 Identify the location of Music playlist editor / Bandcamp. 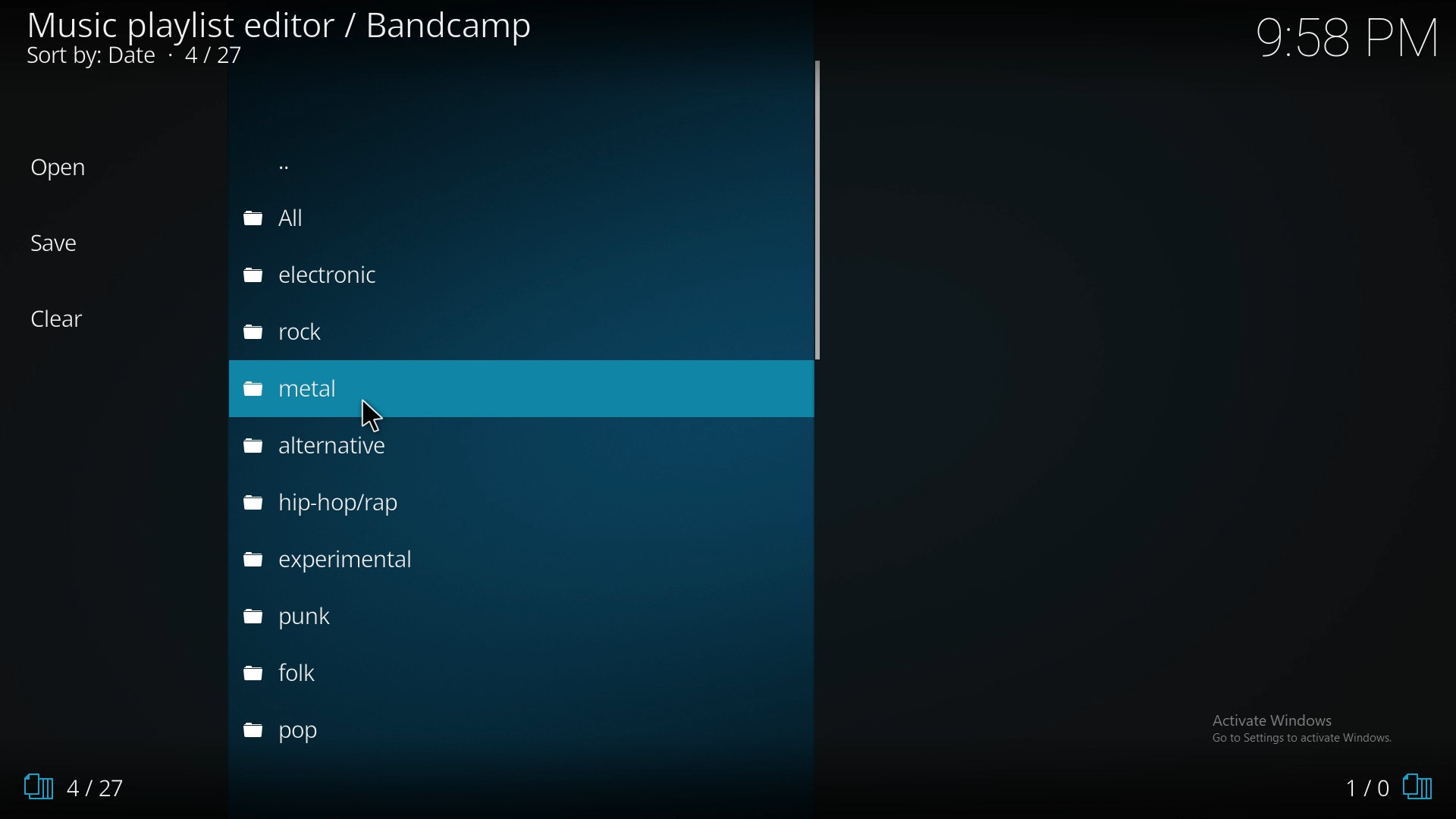
(281, 26).